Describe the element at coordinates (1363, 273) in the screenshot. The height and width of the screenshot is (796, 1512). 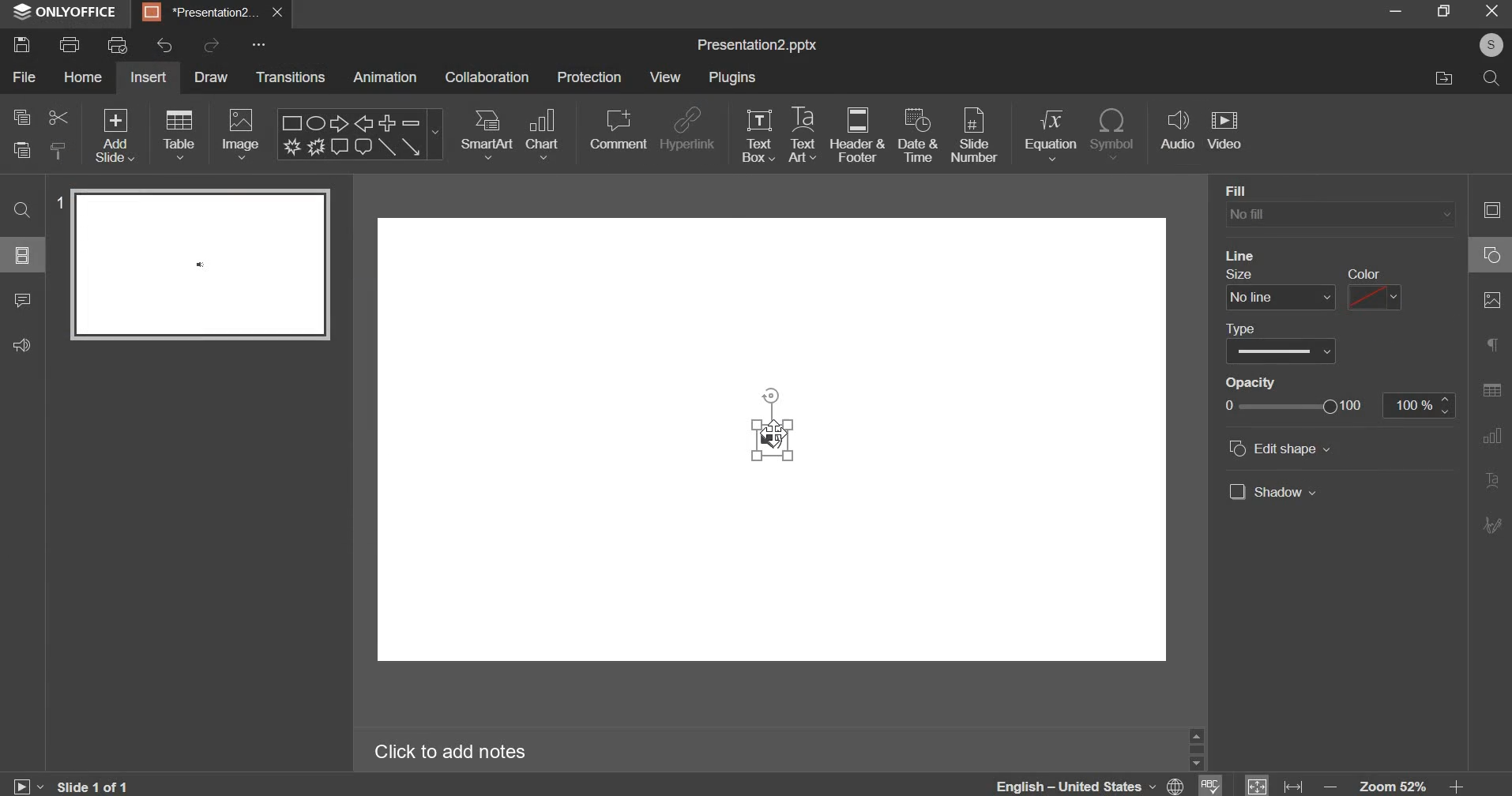
I see `color` at that location.